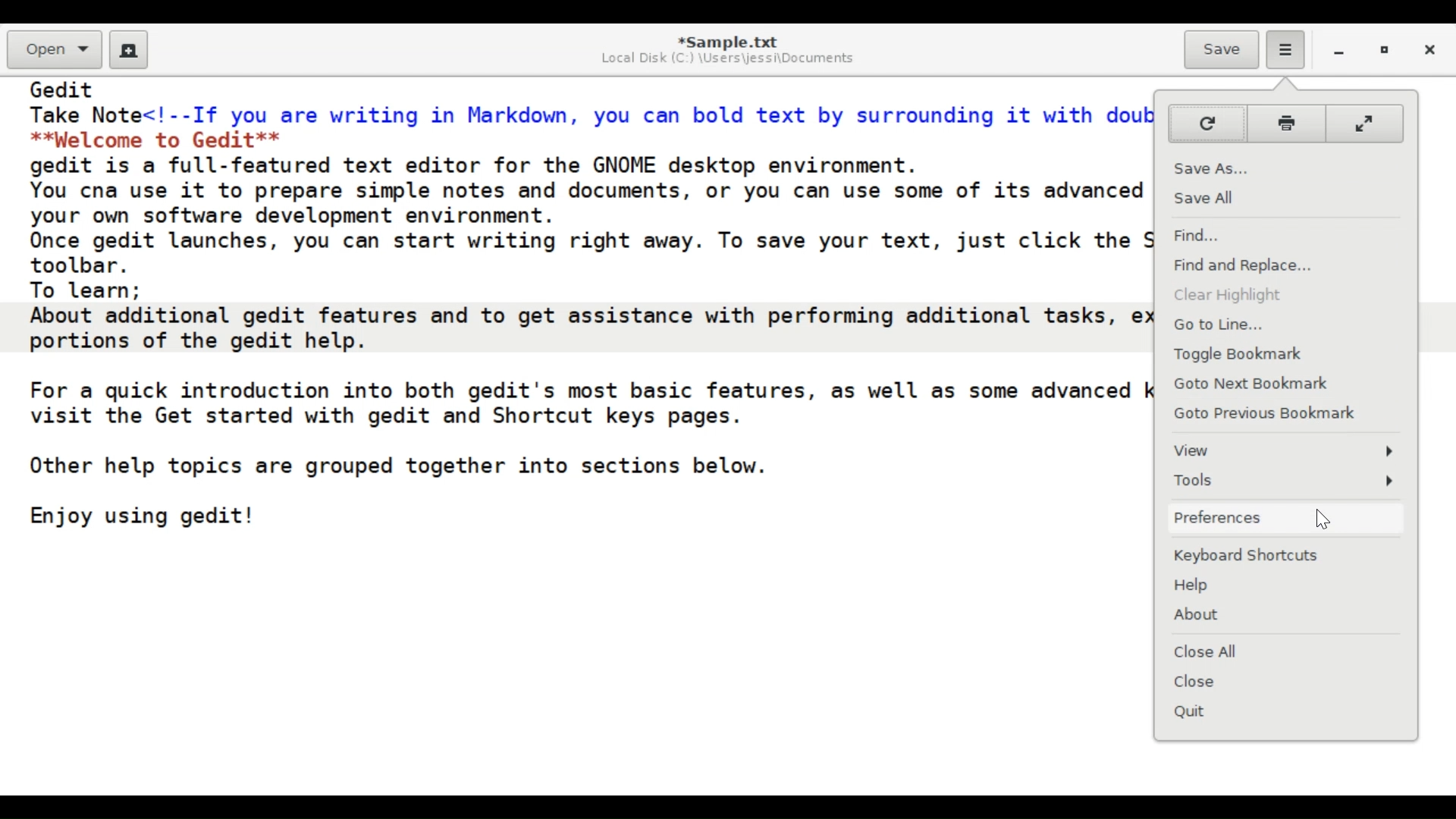 Image resolution: width=1456 pixels, height=819 pixels. I want to click on Save All, so click(1285, 196).